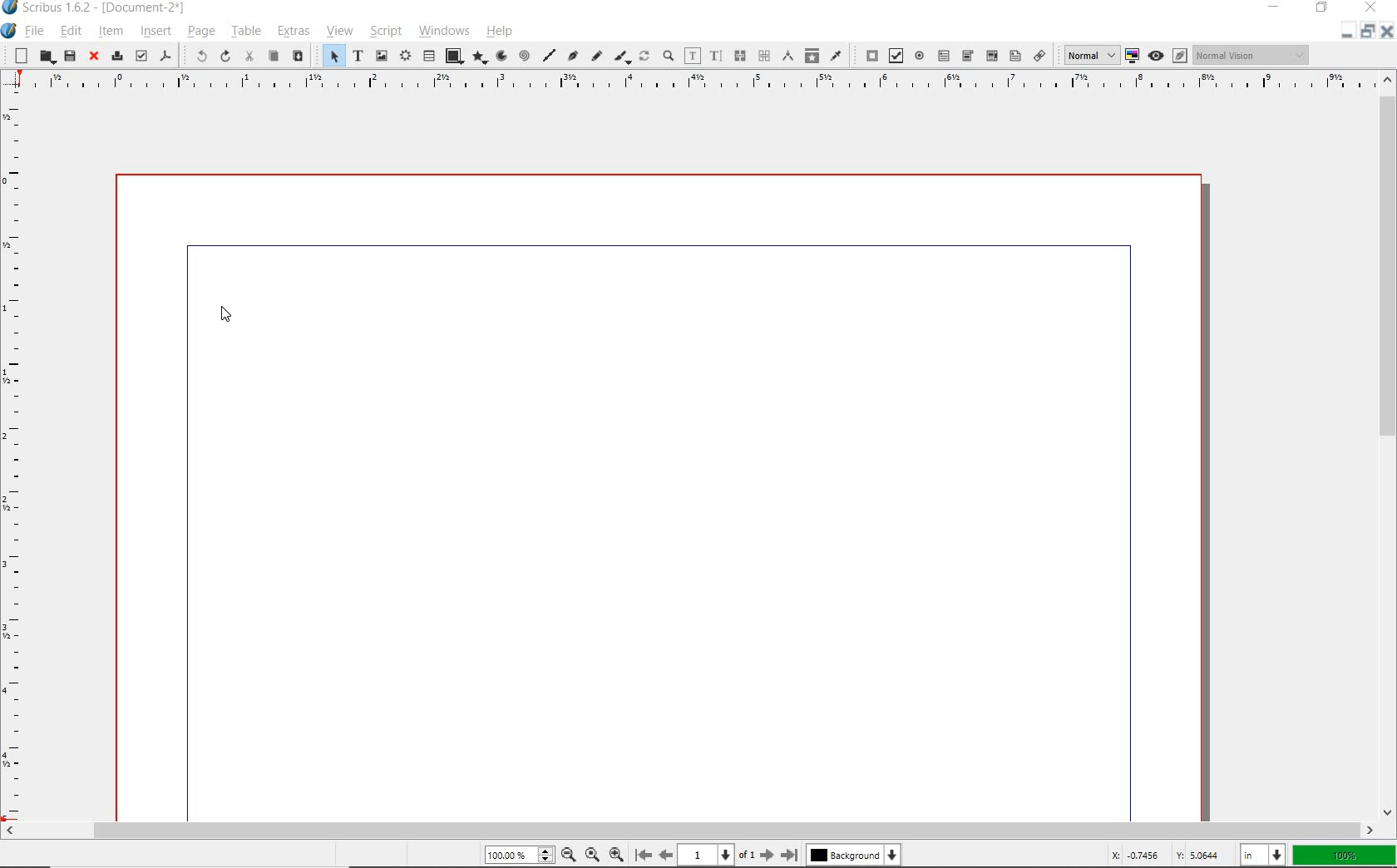 The height and width of the screenshot is (868, 1397). What do you see at coordinates (867, 55) in the screenshot?
I see `pdf push button` at bounding box center [867, 55].